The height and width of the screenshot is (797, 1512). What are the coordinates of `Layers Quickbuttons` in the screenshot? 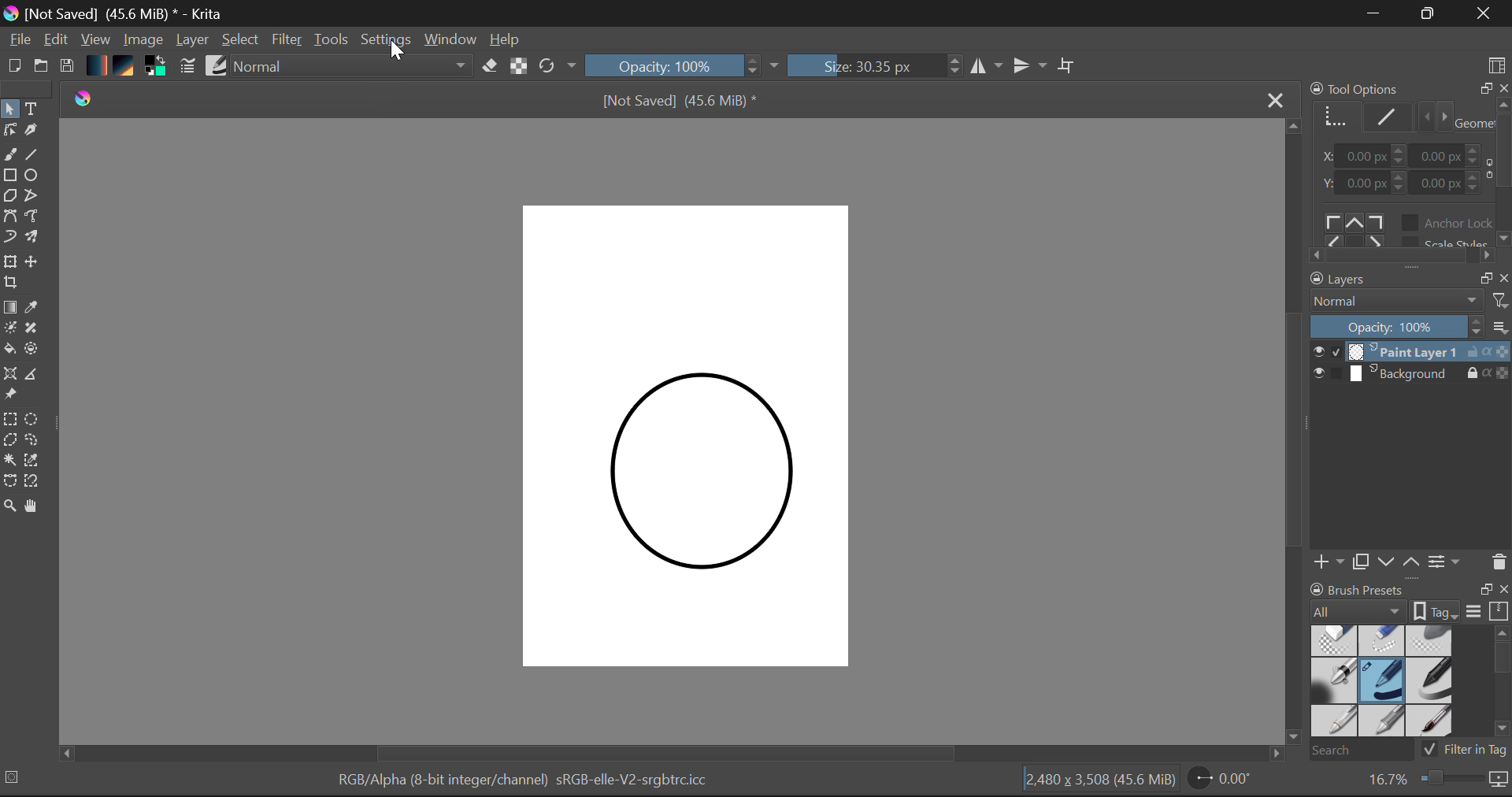 It's located at (1408, 562).